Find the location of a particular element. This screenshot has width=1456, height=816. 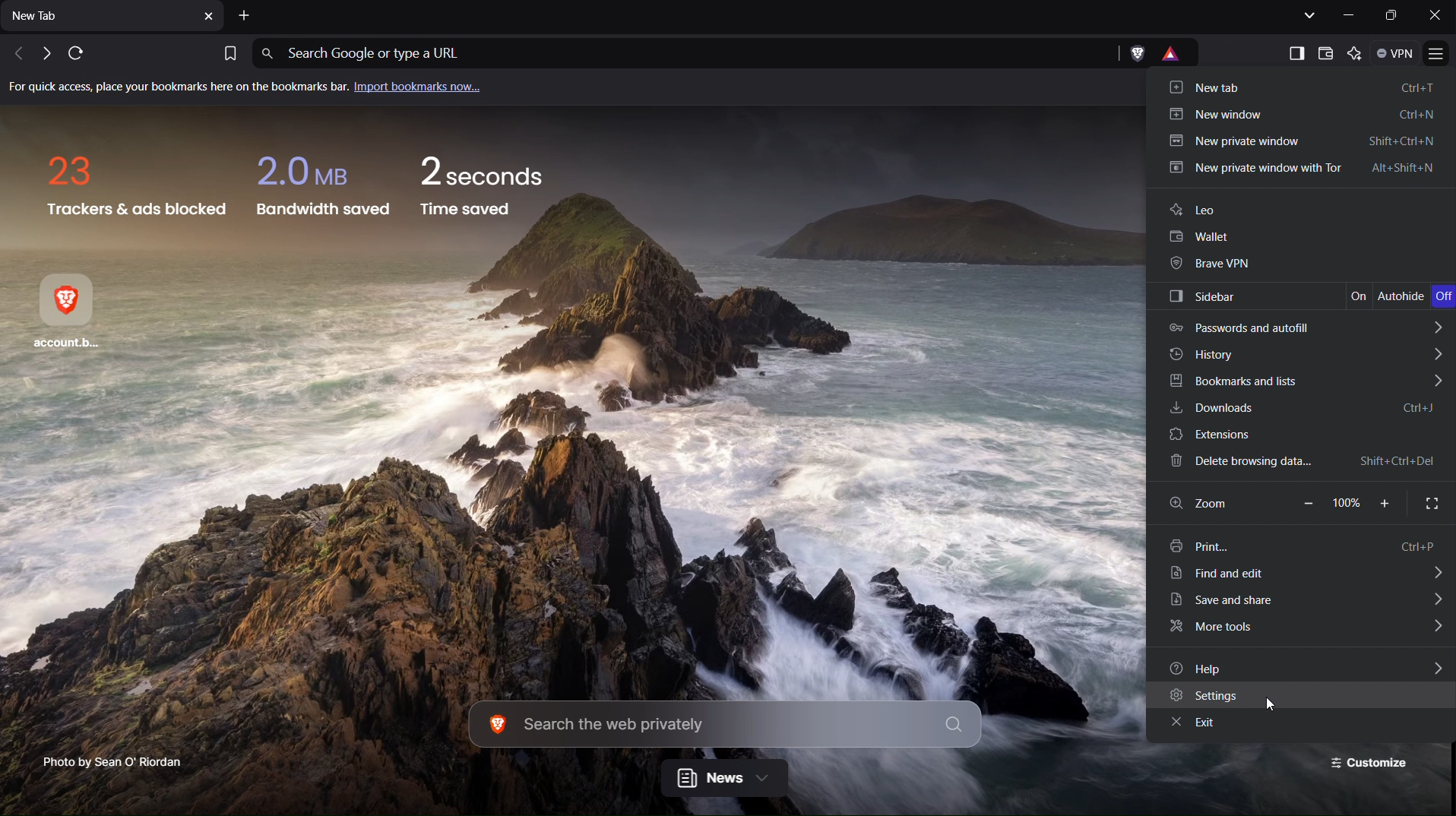

Leo is located at coordinates (1301, 213).